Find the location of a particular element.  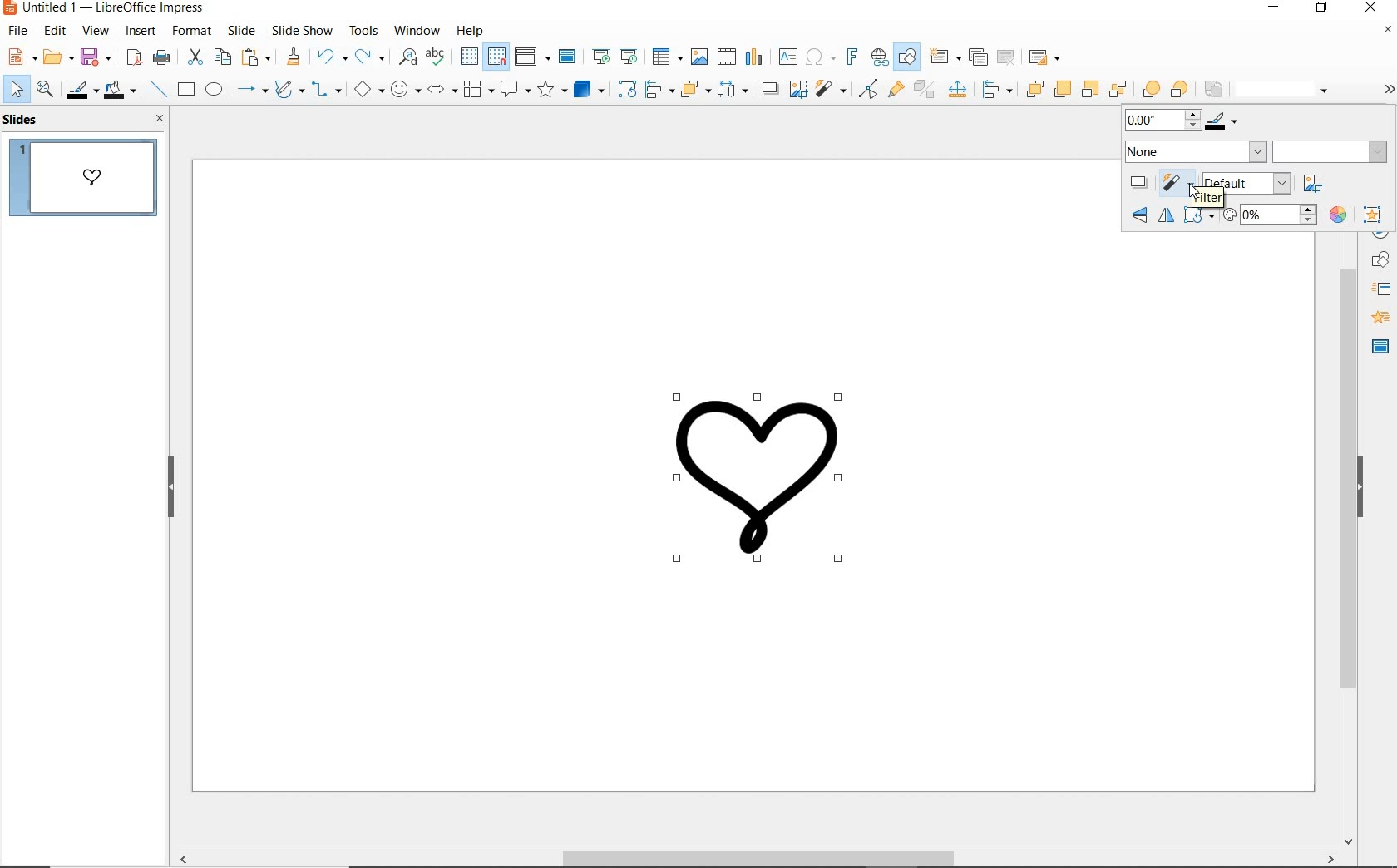

stars and banners is located at coordinates (550, 89).